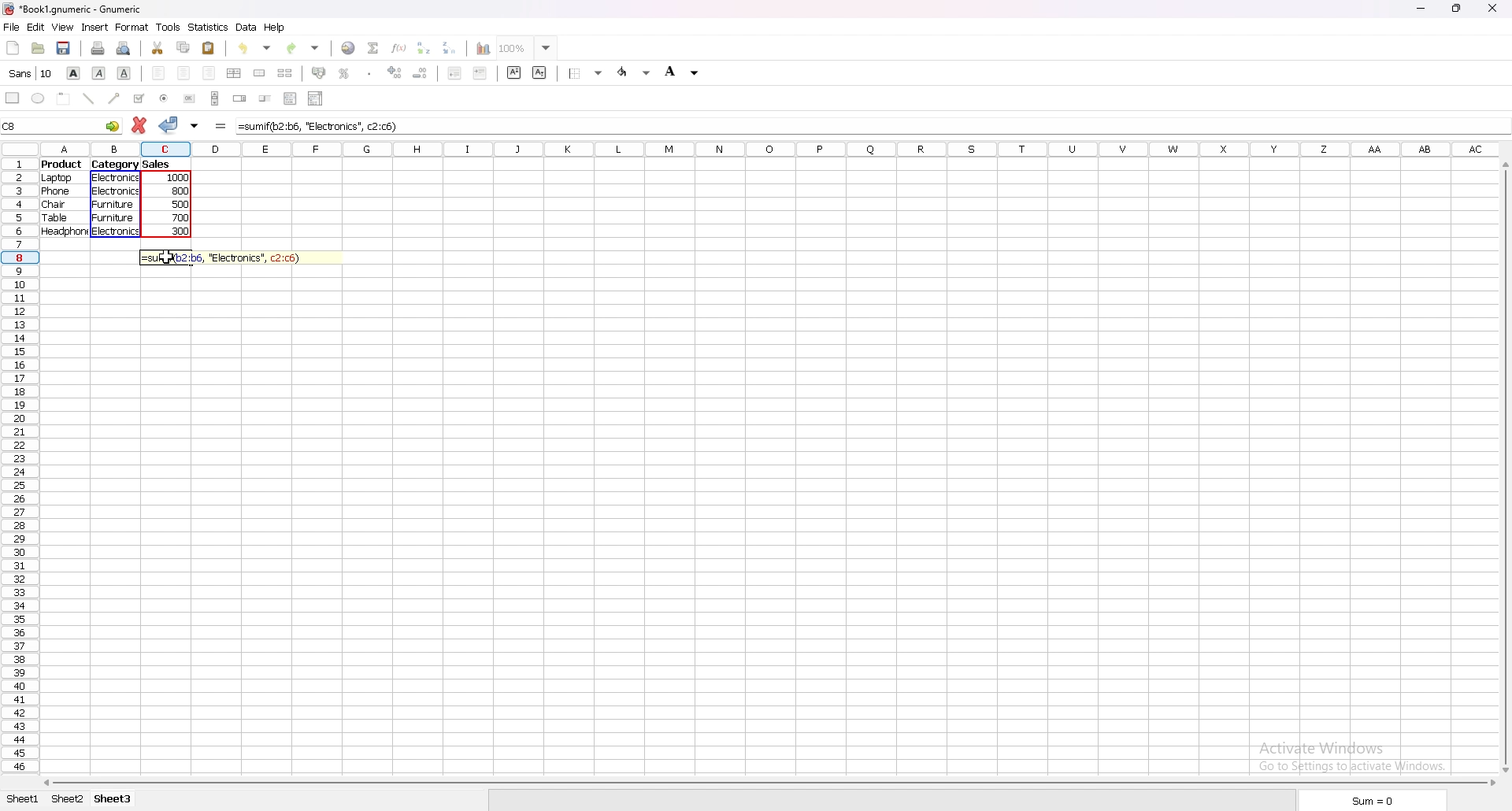 Image resolution: width=1512 pixels, height=811 pixels. Describe the element at coordinates (286, 73) in the screenshot. I see `split merged cells` at that location.